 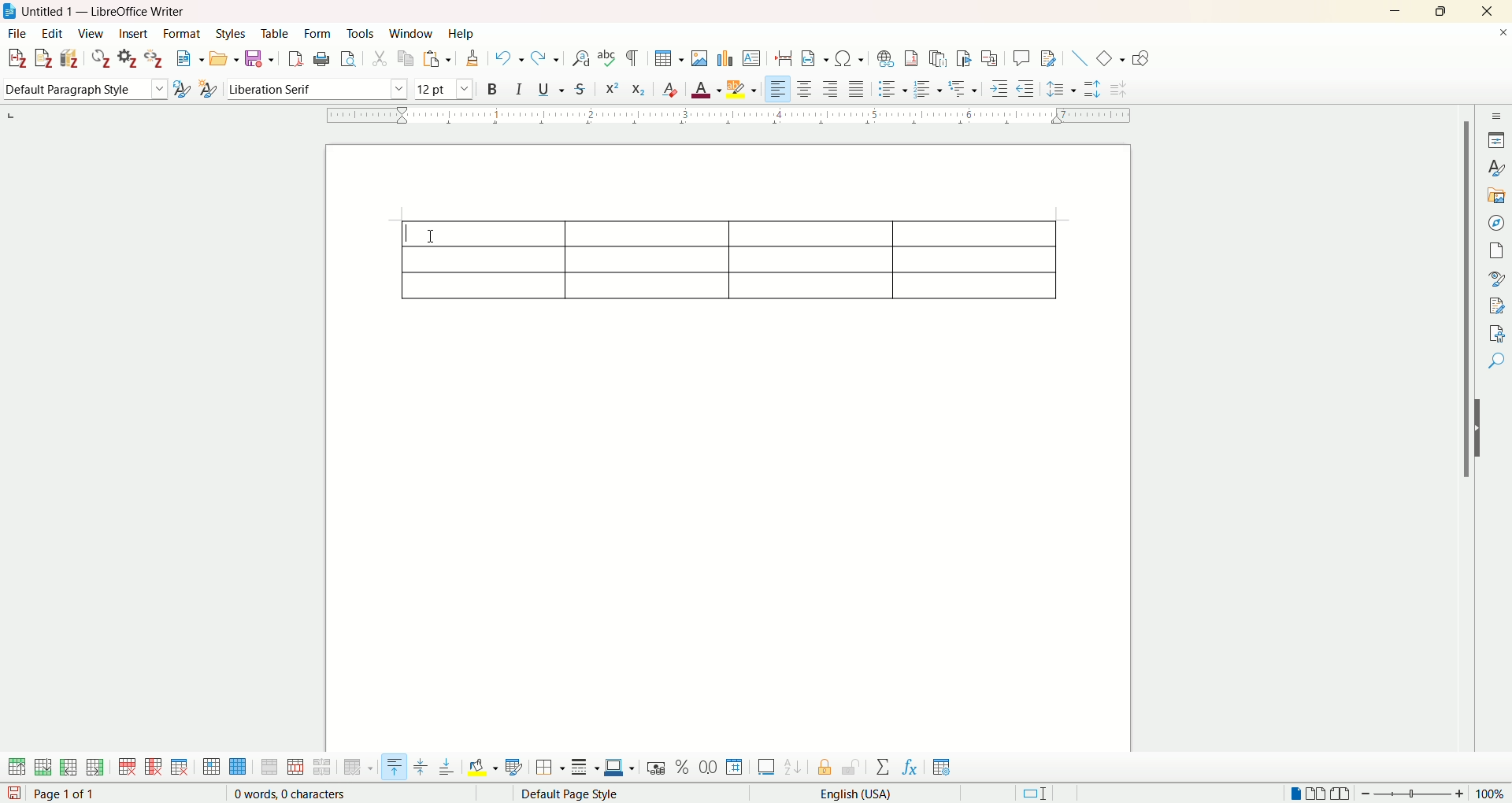 I want to click on style, so click(x=1499, y=165).